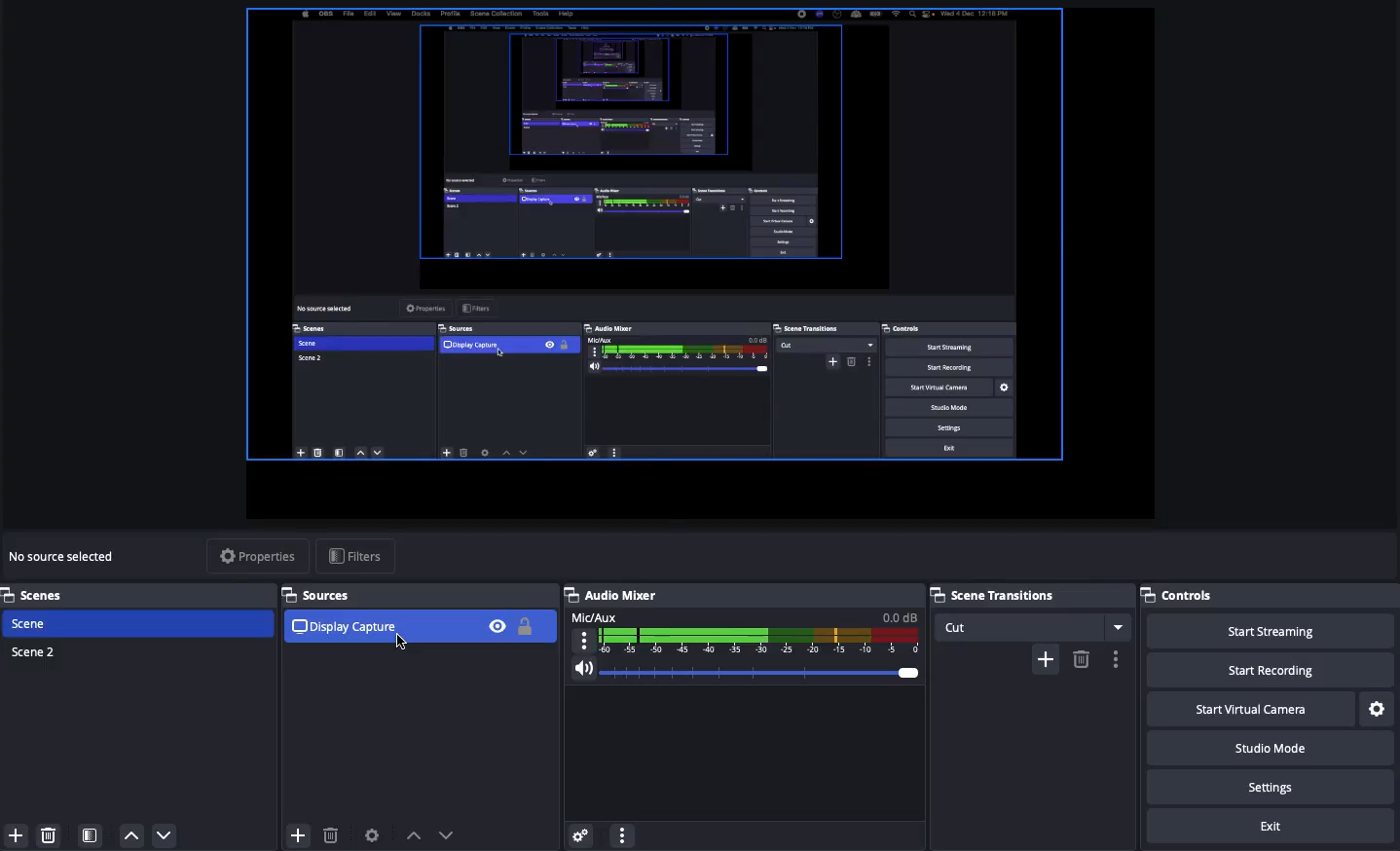  Describe the element at coordinates (354, 554) in the screenshot. I see `Filters` at that location.